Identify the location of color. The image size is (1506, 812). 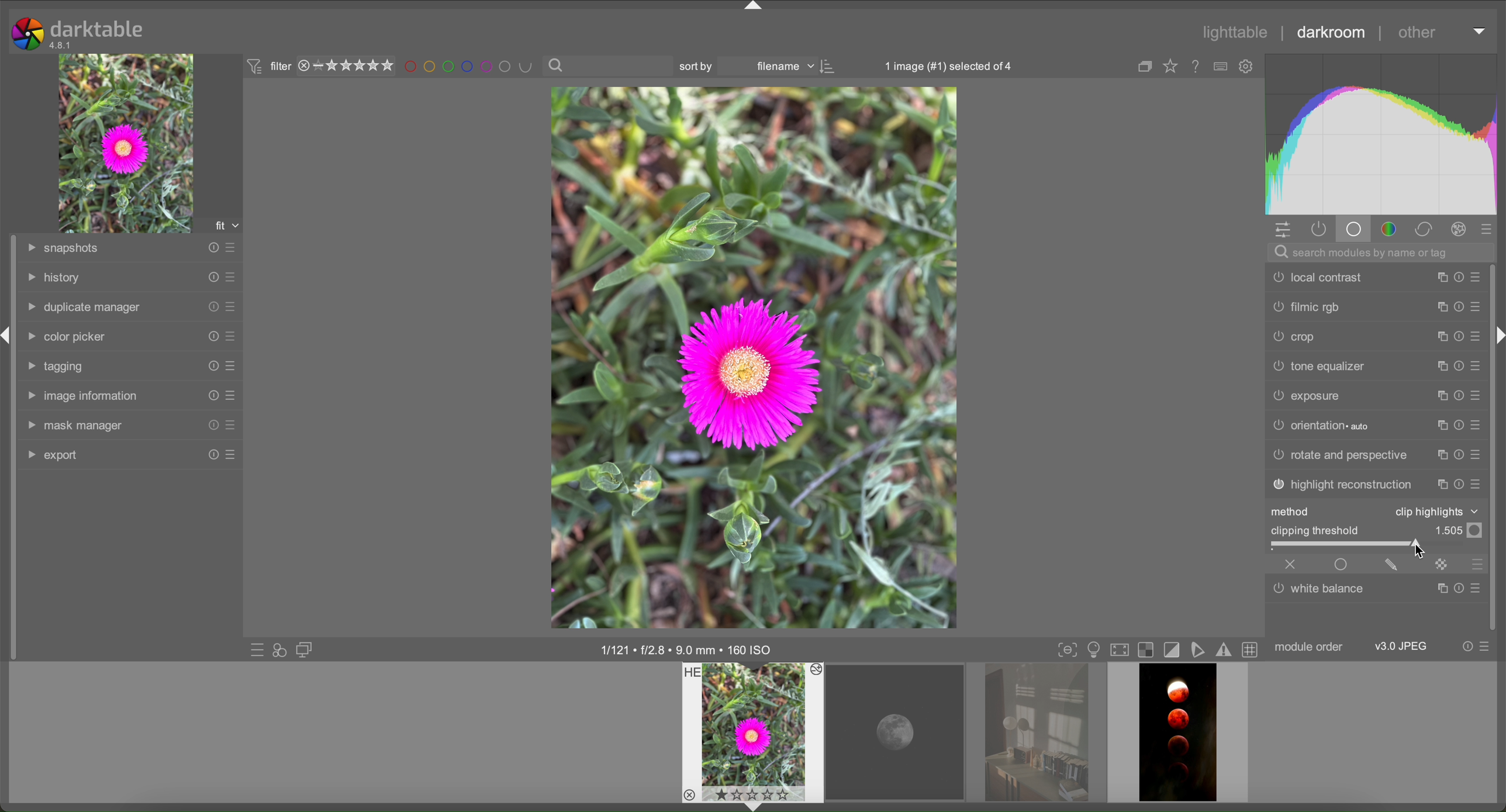
(1387, 229).